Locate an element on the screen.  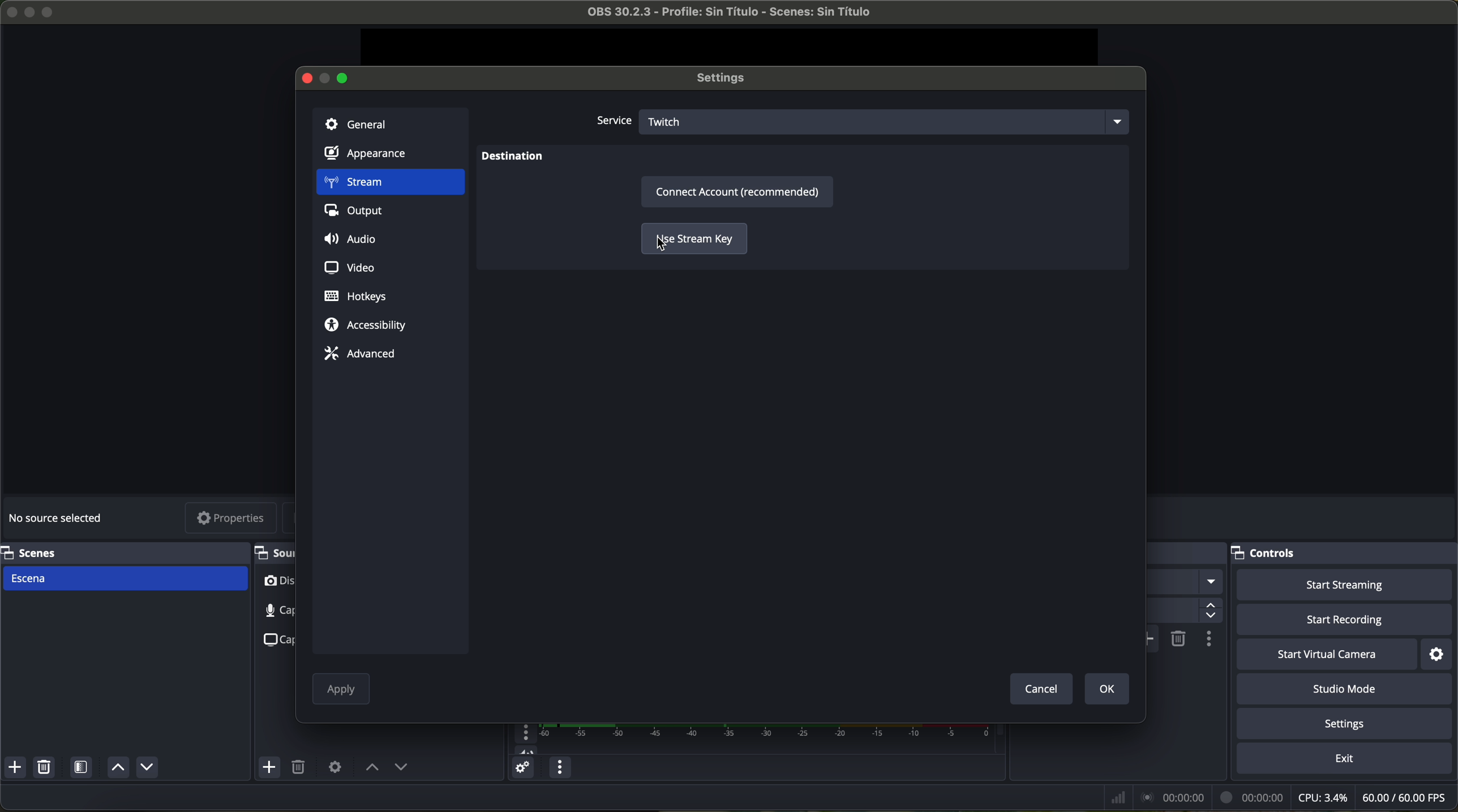
hotkeys is located at coordinates (356, 297).